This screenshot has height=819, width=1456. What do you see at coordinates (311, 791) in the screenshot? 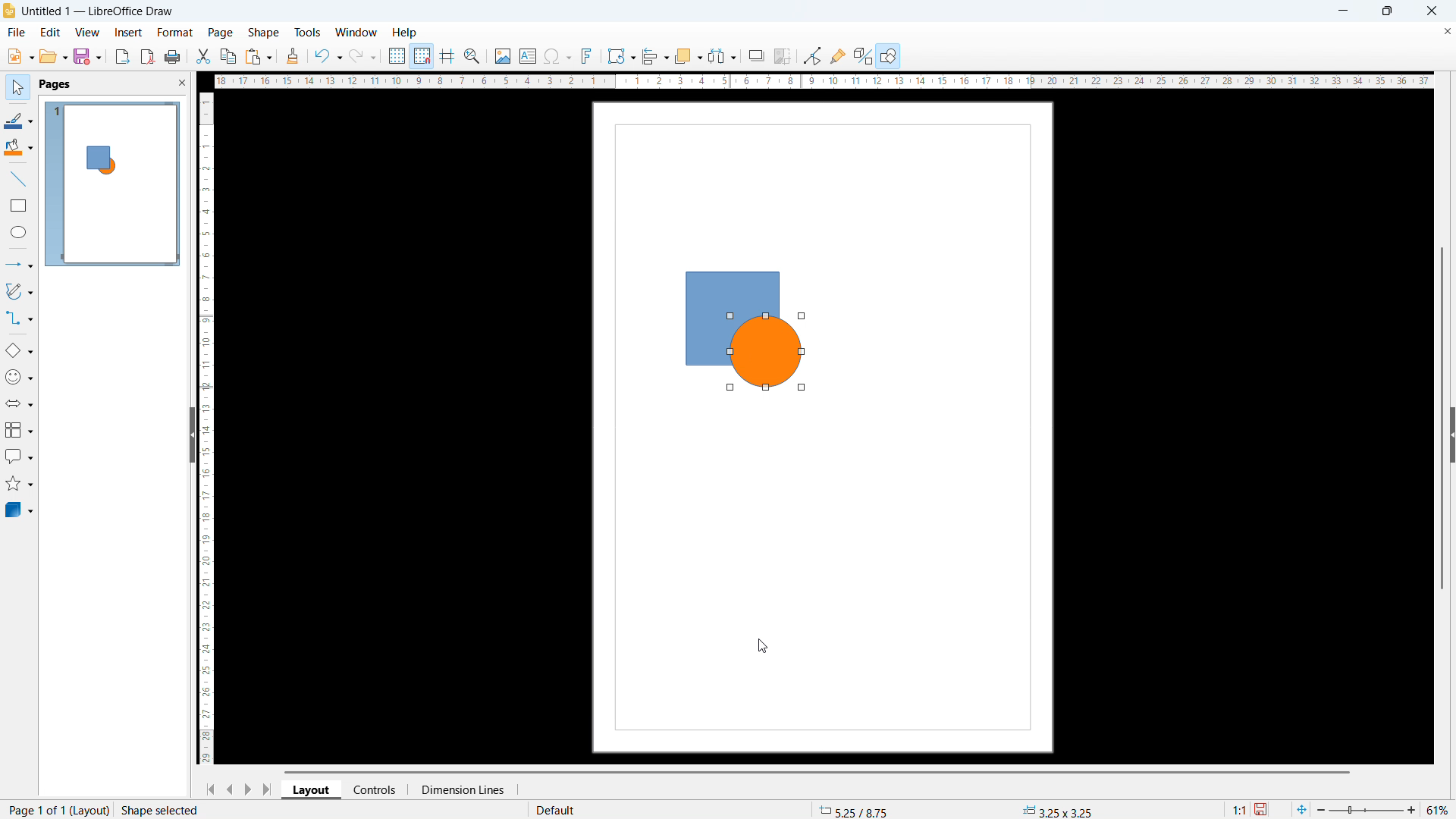
I see `Layout ` at bounding box center [311, 791].